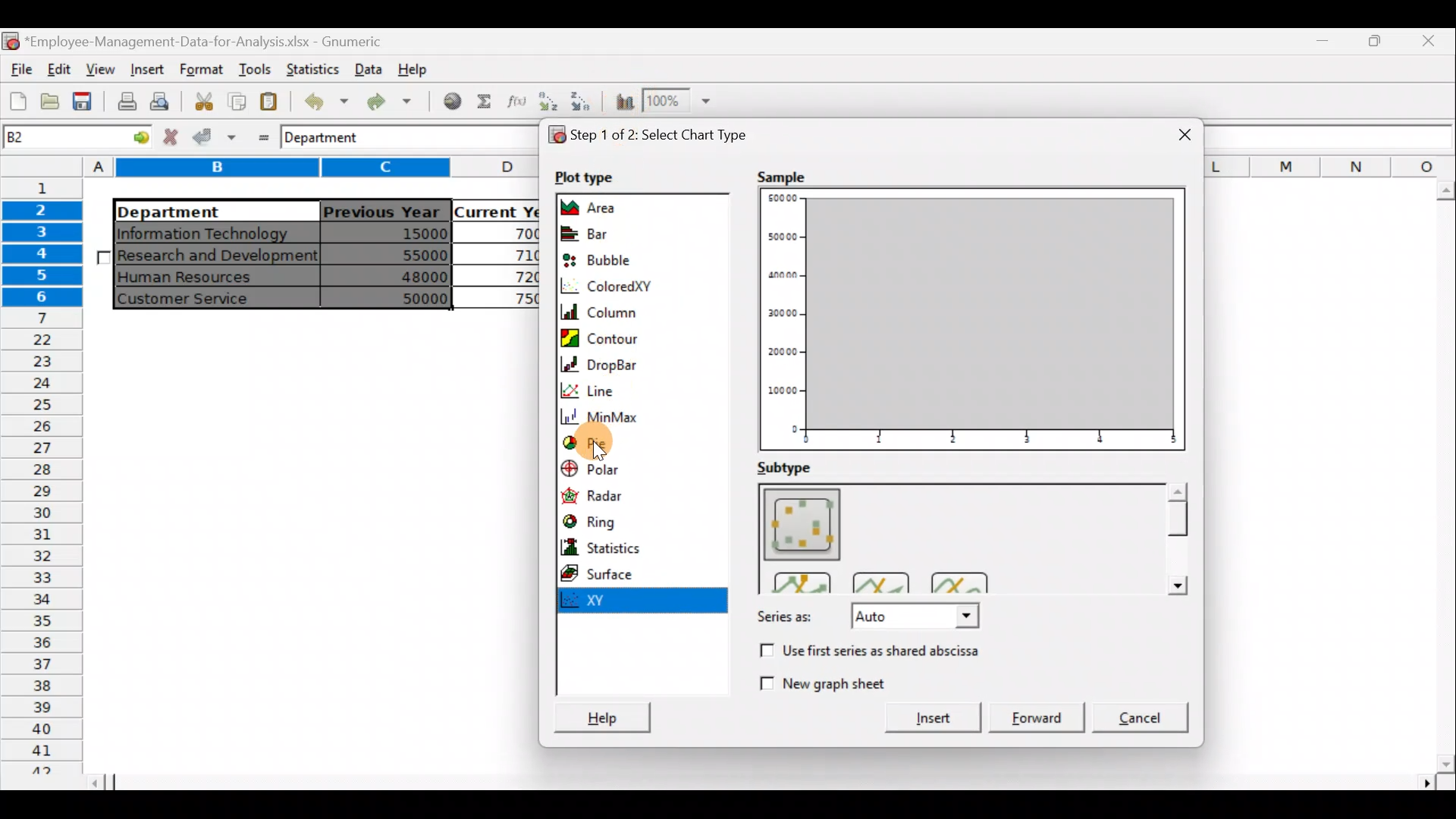  What do you see at coordinates (196, 278) in the screenshot?
I see `Human Resources` at bounding box center [196, 278].